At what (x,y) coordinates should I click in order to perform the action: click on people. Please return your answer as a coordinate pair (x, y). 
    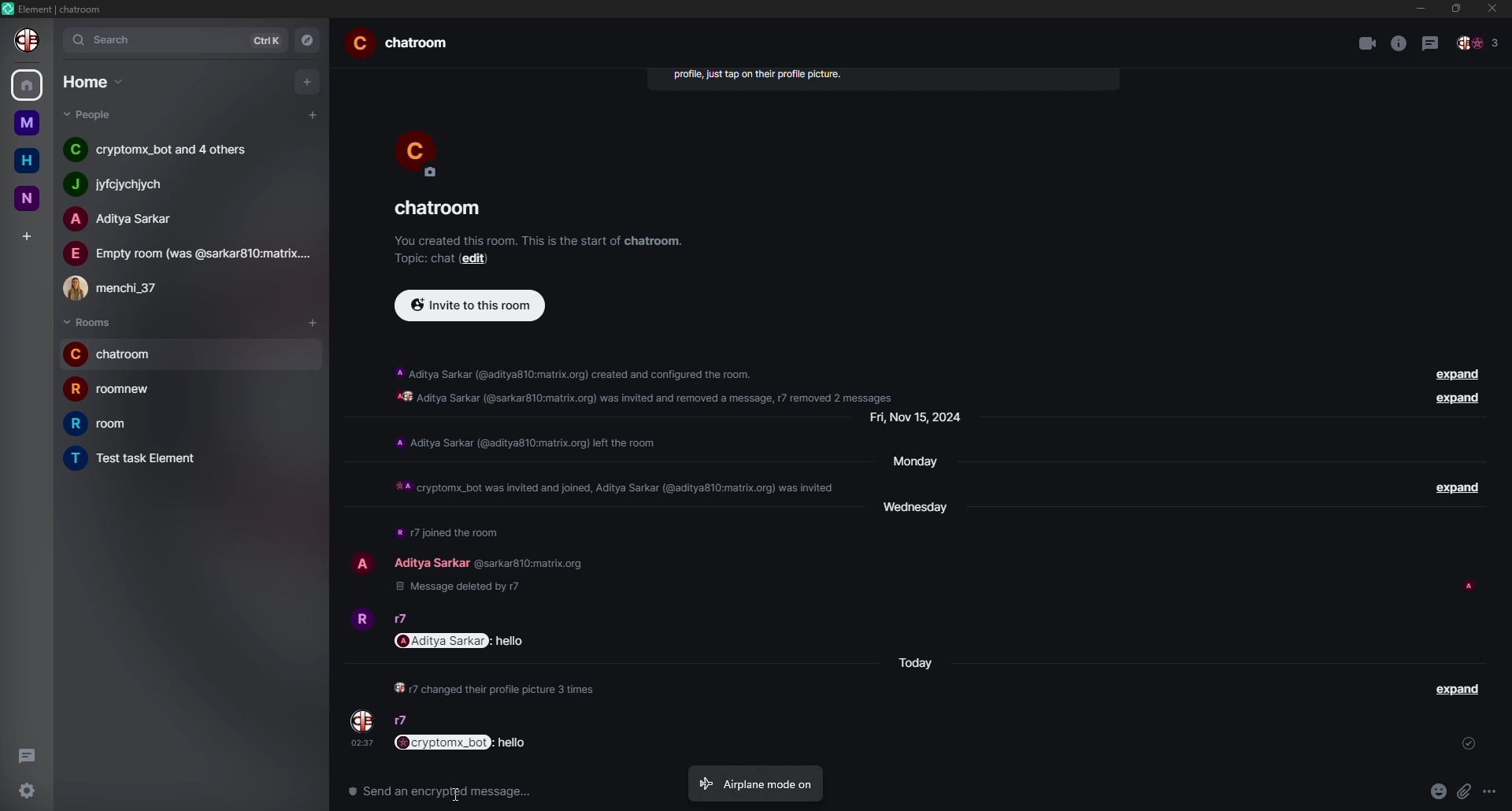
    Looking at the image, I should click on (402, 620).